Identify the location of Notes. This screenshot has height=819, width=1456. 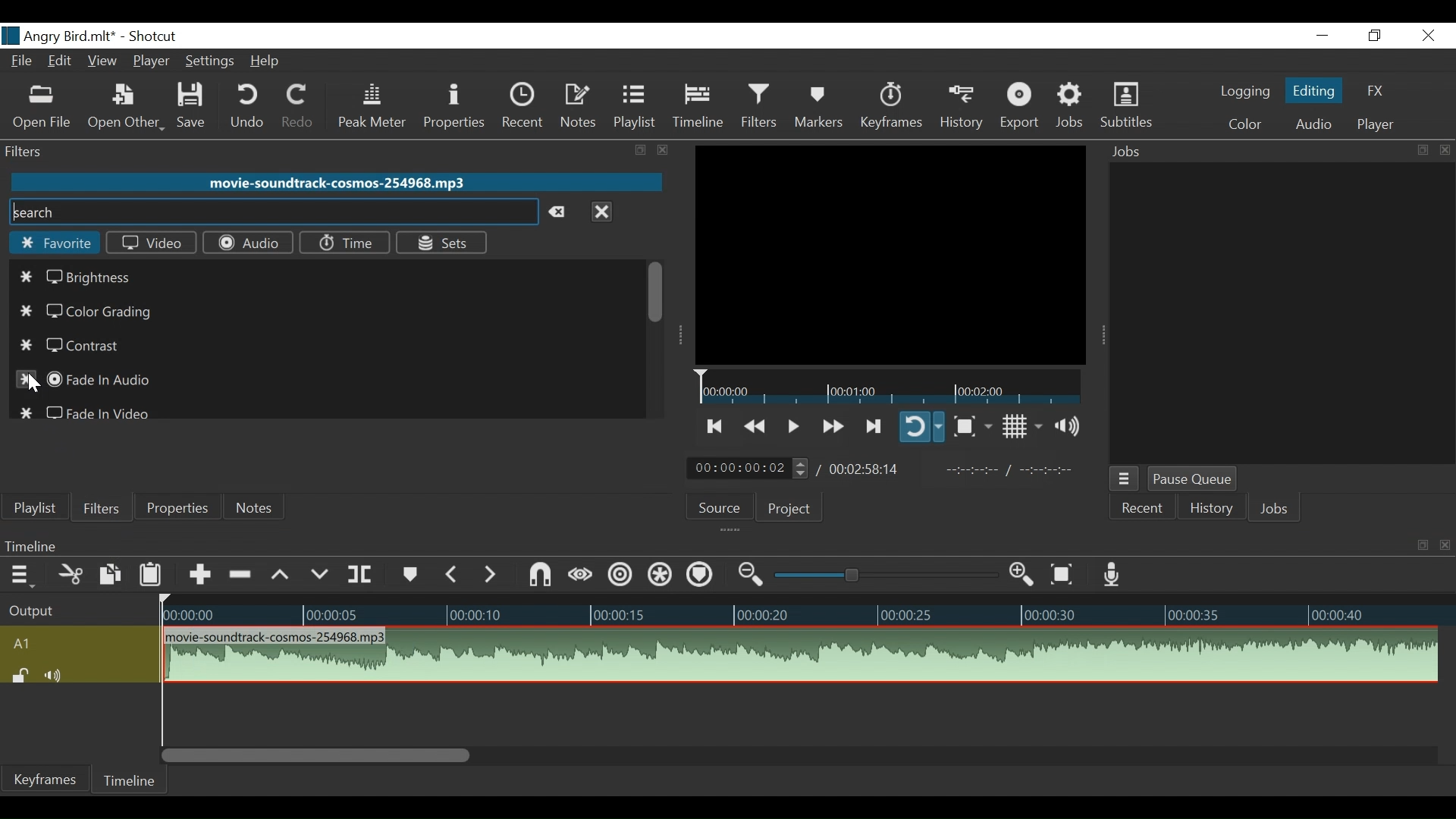
(257, 505).